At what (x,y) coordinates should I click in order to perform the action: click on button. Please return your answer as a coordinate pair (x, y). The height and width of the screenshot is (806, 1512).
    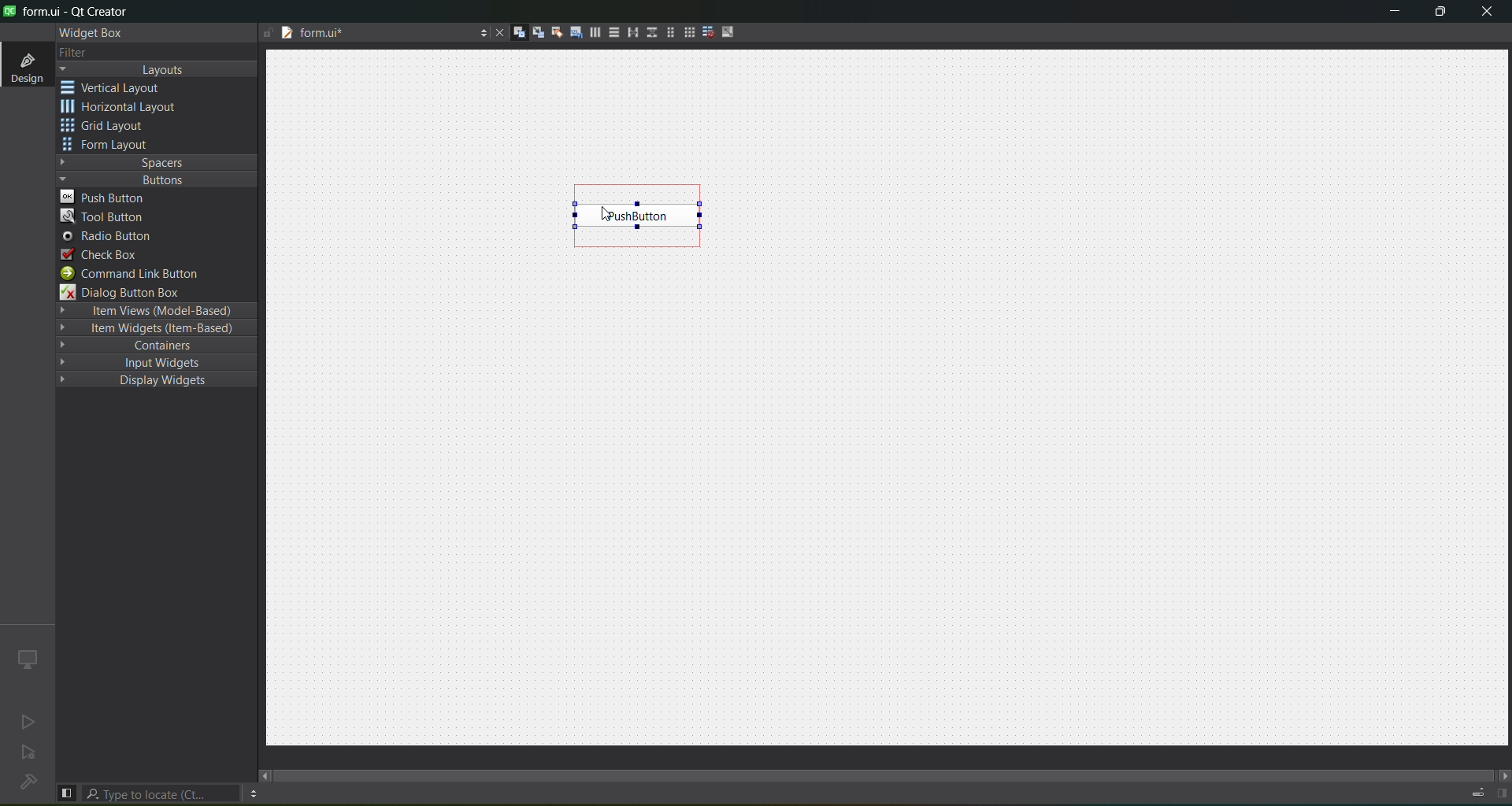
    Looking at the image, I should click on (154, 179).